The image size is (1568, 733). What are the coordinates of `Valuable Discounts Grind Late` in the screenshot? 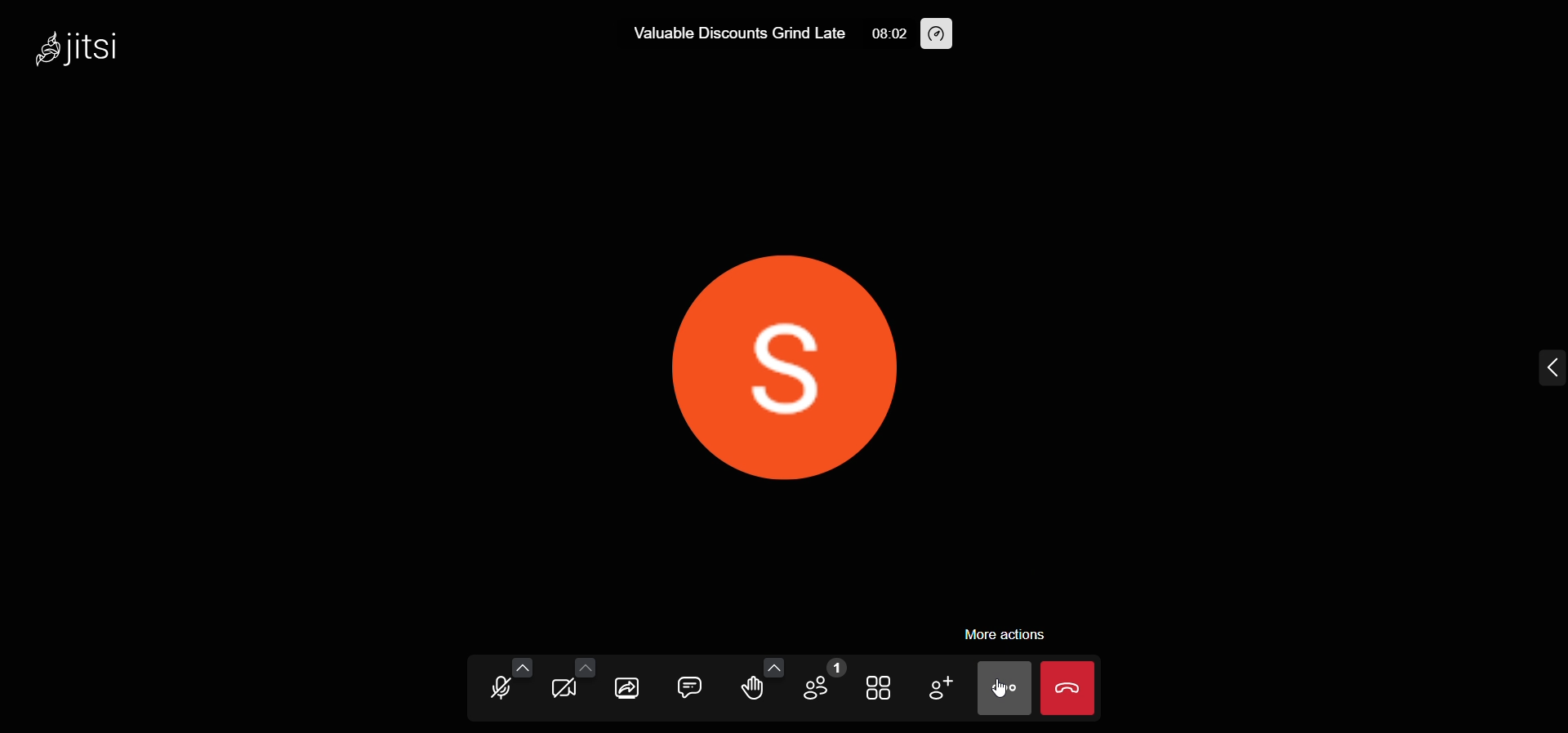 It's located at (729, 38).